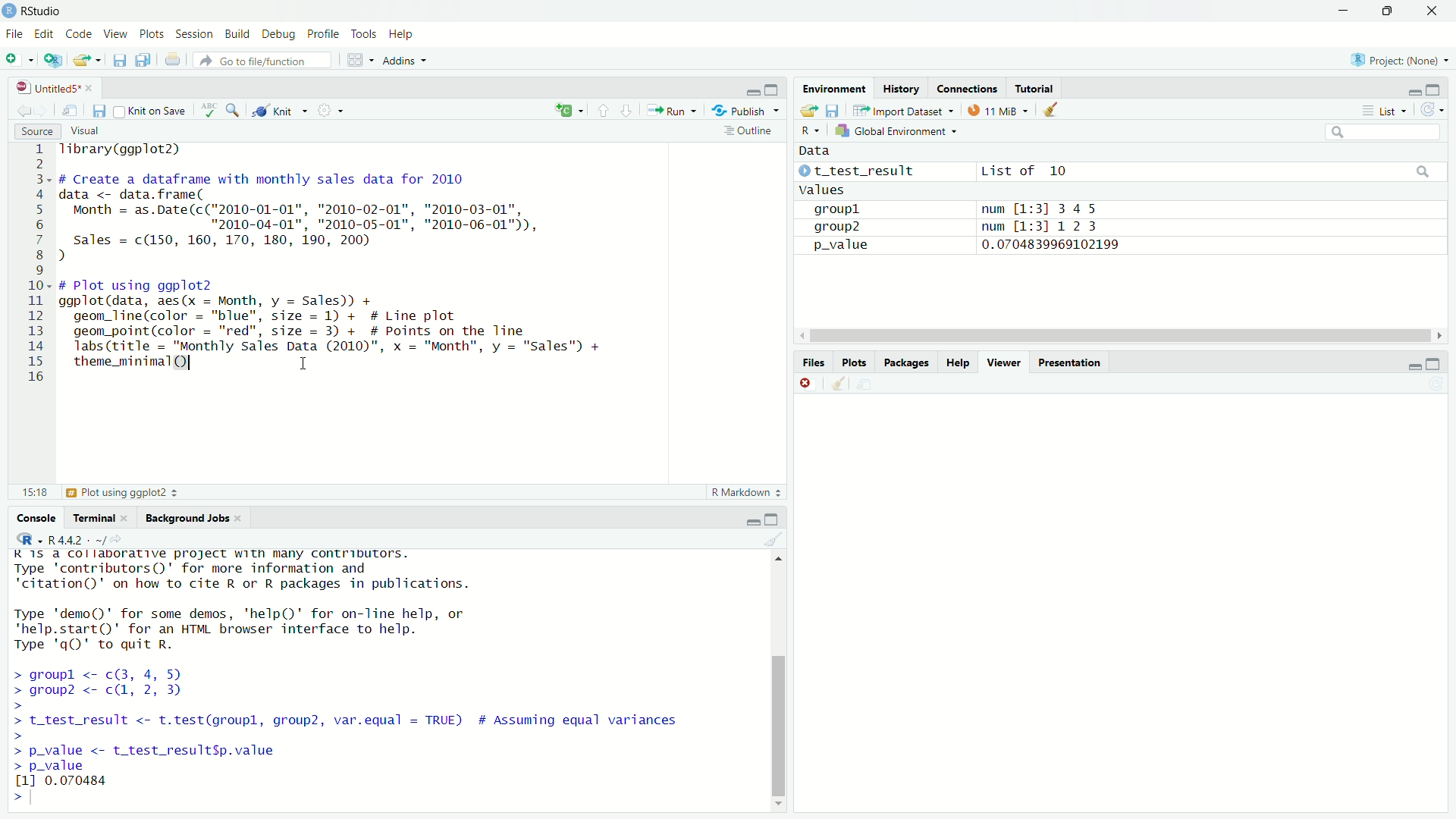  I want to click on settings, so click(331, 111).